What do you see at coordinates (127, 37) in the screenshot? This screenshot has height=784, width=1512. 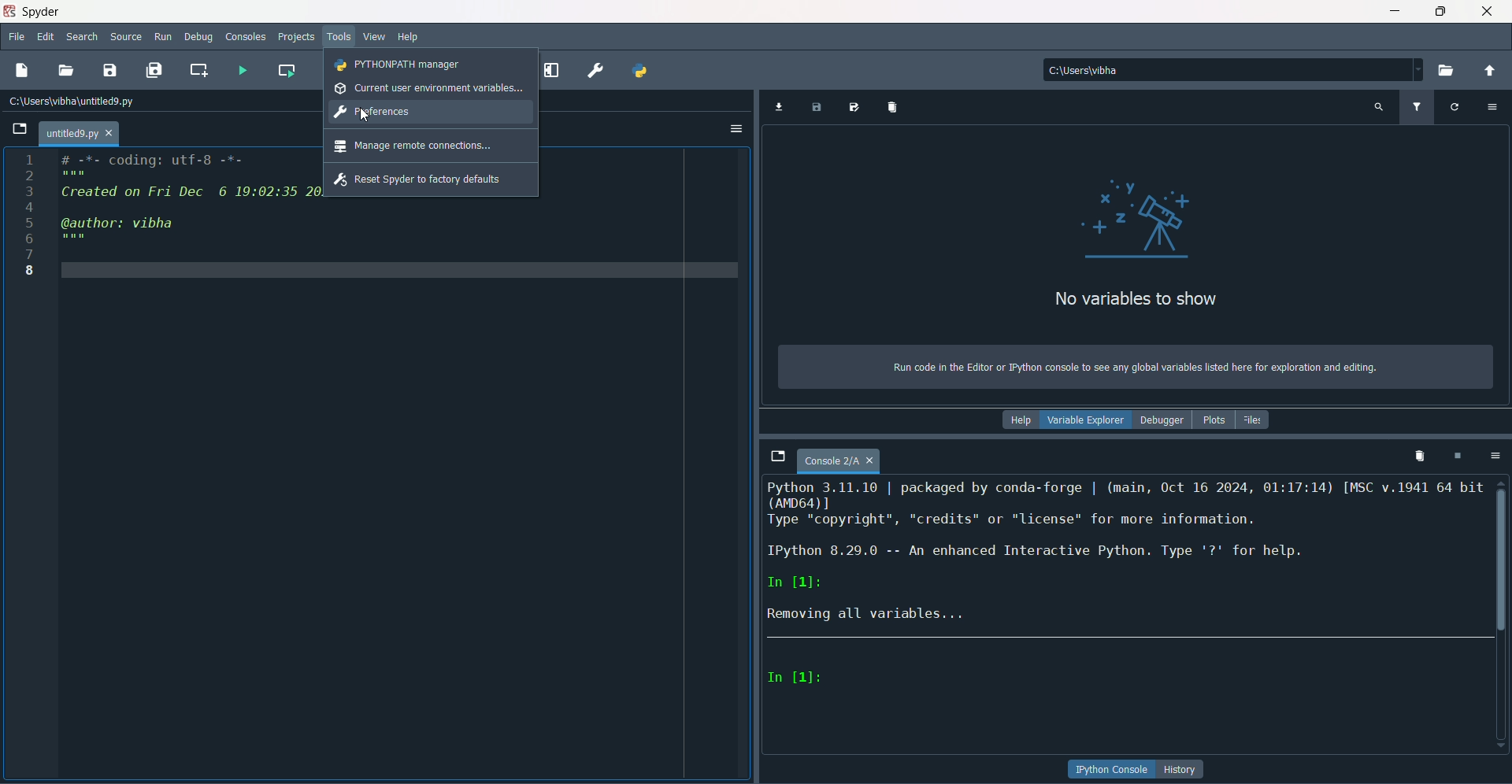 I see `source` at bounding box center [127, 37].